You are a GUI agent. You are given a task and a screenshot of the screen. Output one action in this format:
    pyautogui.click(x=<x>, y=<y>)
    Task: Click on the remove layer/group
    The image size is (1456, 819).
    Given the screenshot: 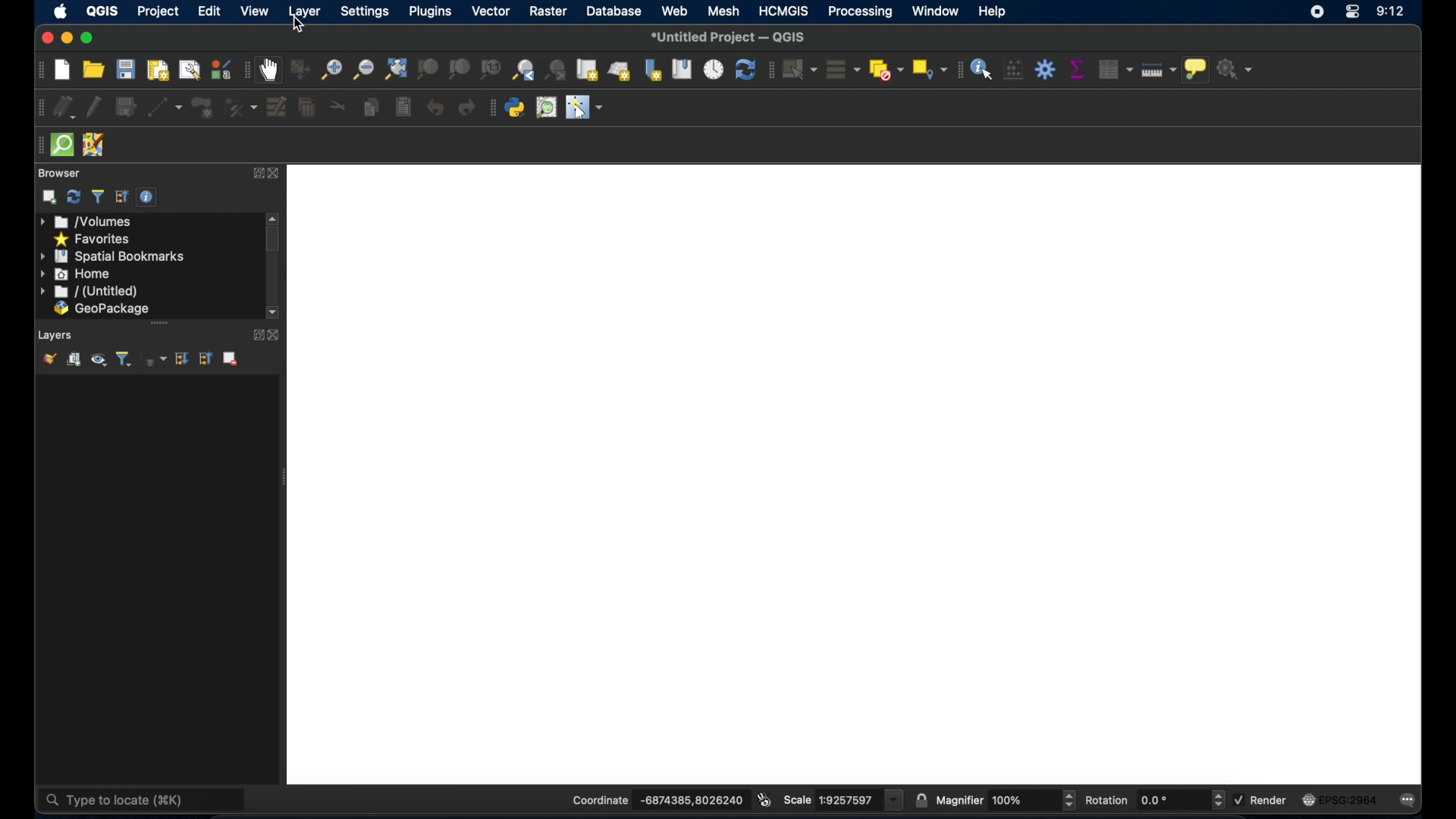 What is the action you would take?
    pyautogui.click(x=231, y=359)
    